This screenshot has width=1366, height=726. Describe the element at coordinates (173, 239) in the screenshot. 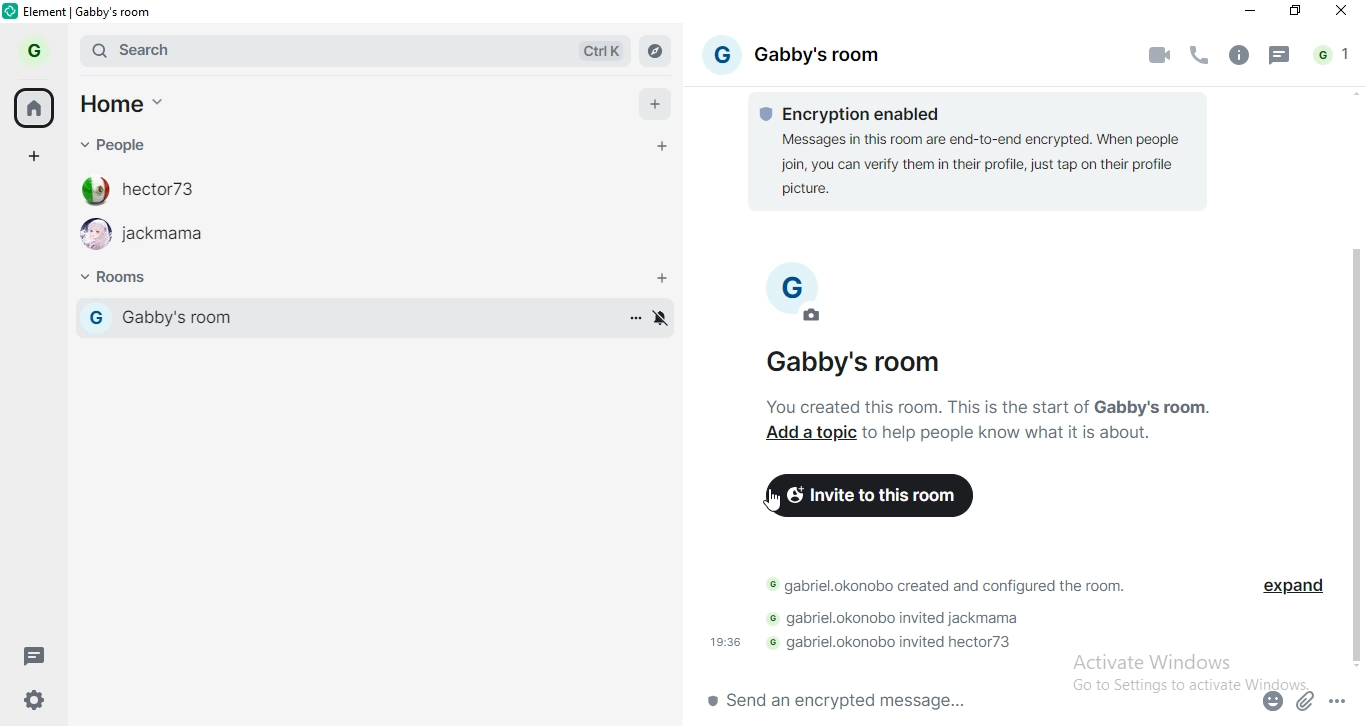

I see `jackmama` at that location.